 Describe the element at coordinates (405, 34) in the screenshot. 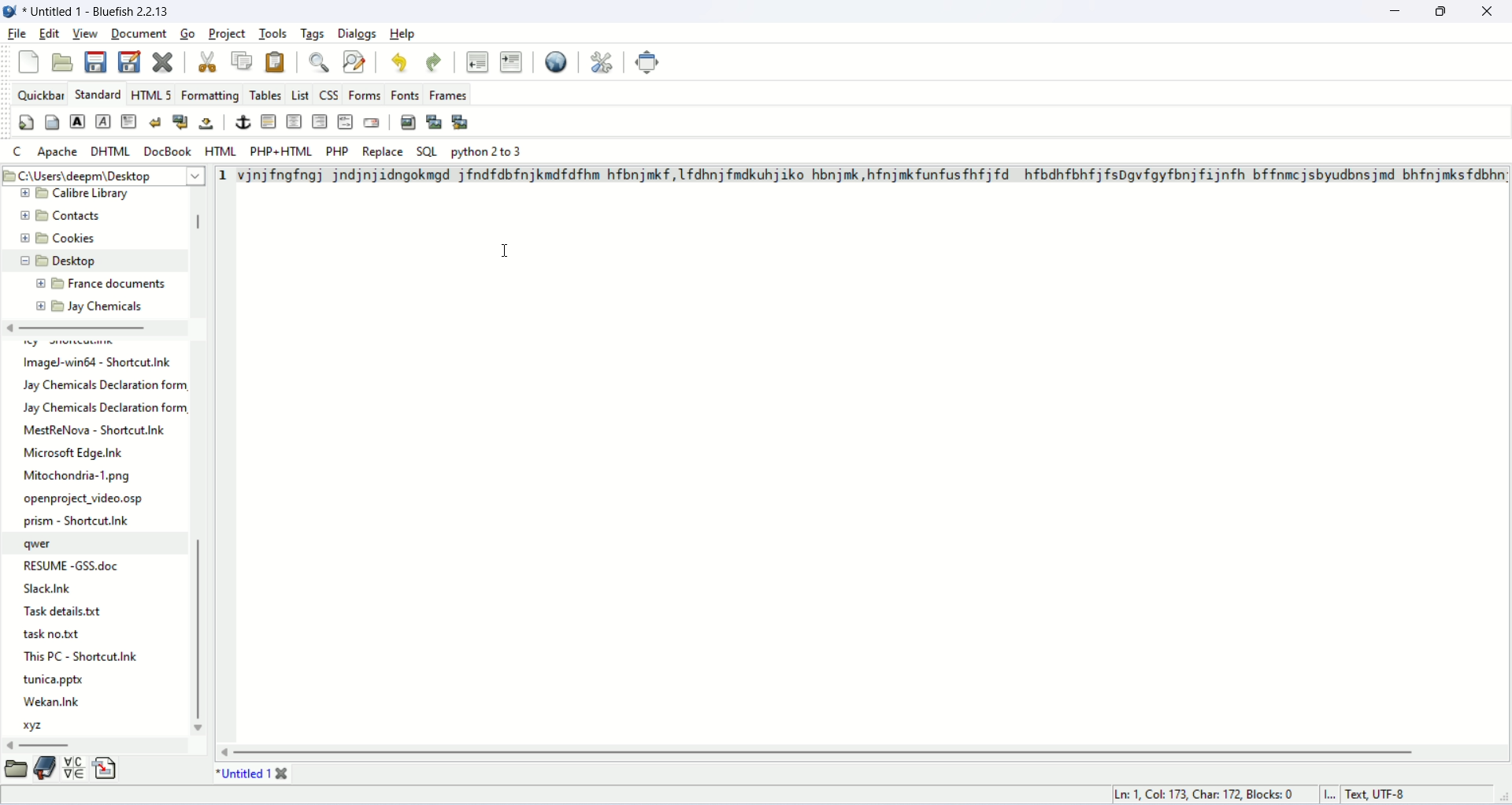

I see `help` at that location.